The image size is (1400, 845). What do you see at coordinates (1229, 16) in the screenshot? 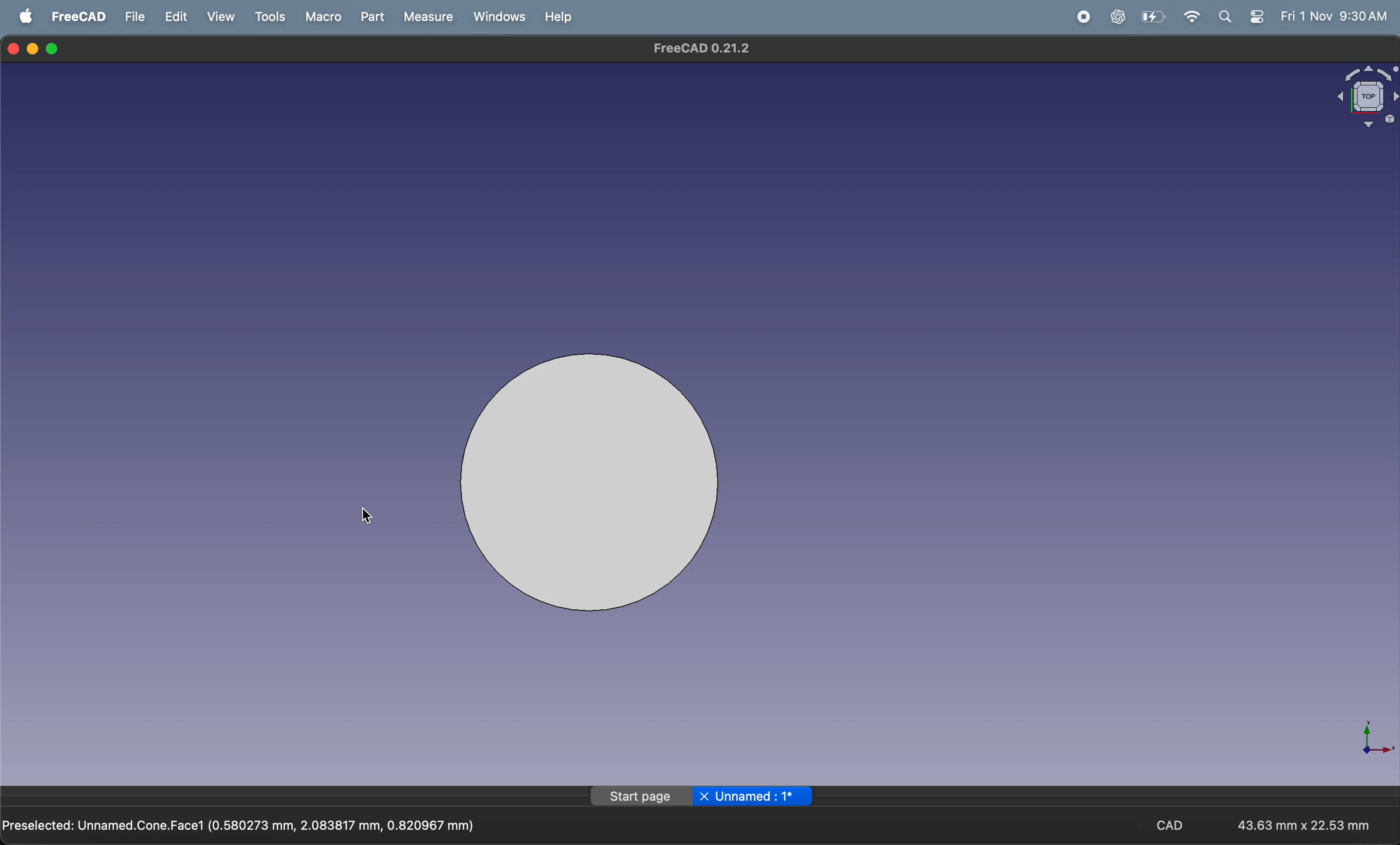
I see `search` at bounding box center [1229, 16].